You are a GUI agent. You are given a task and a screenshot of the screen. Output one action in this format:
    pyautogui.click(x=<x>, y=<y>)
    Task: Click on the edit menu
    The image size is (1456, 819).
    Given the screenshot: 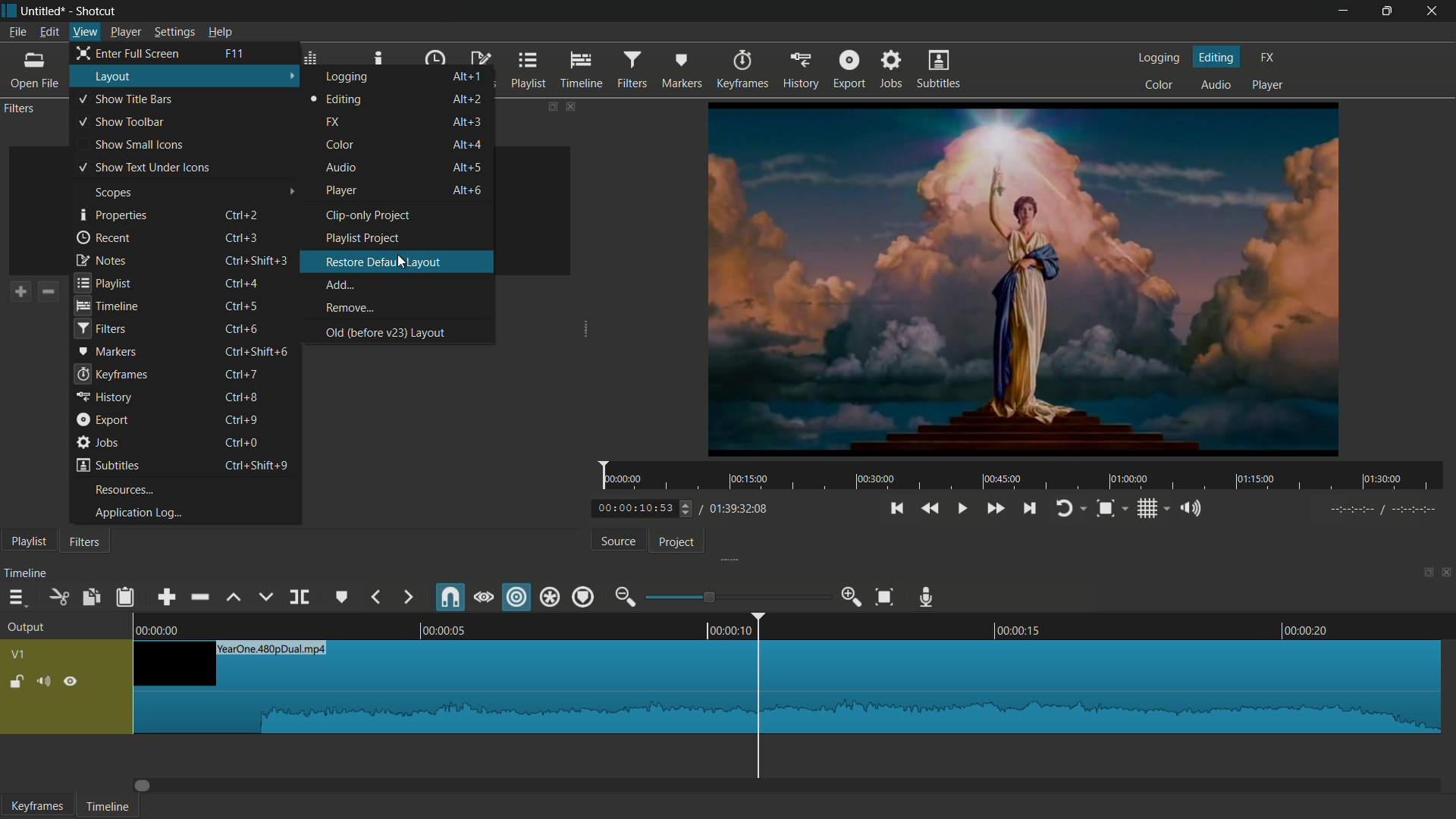 What is the action you would take?
    pyautogui.click(x=49, y=32)
    